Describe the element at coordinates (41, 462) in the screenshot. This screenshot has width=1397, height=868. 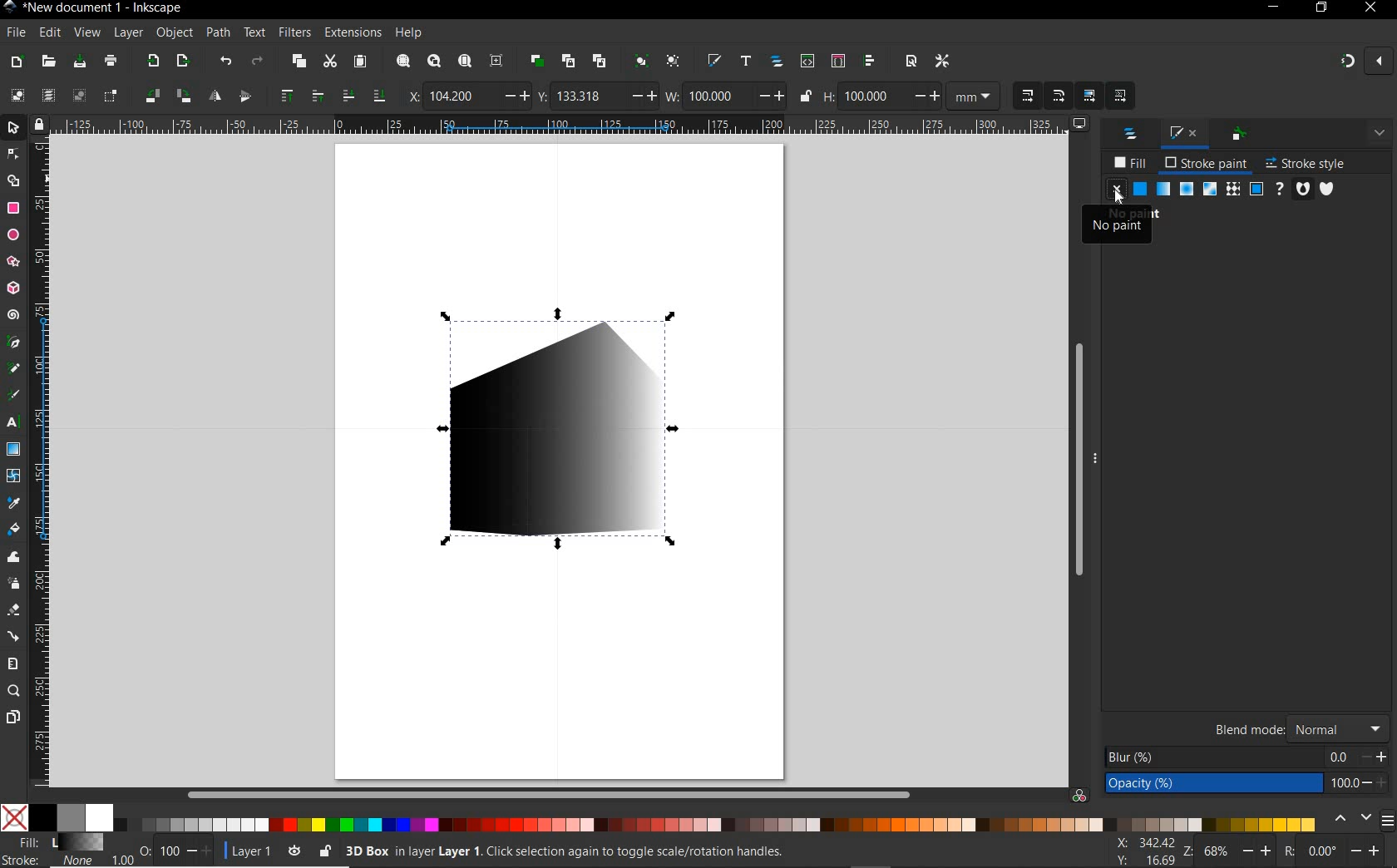
I see `RULER` at that location.